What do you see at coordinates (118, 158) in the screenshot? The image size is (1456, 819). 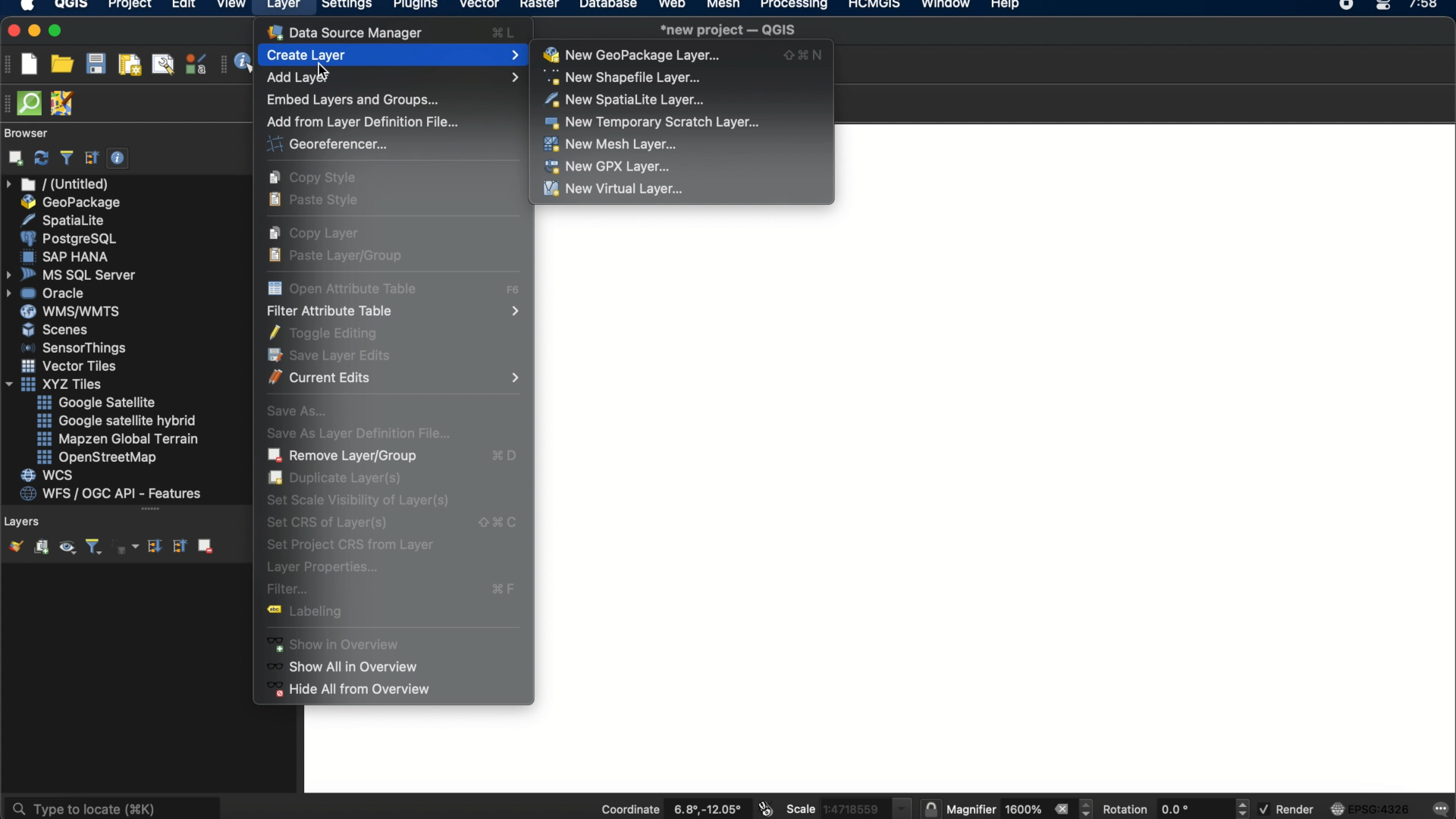 I see `enable/disable properties widget` at bounding box center [118, 158].